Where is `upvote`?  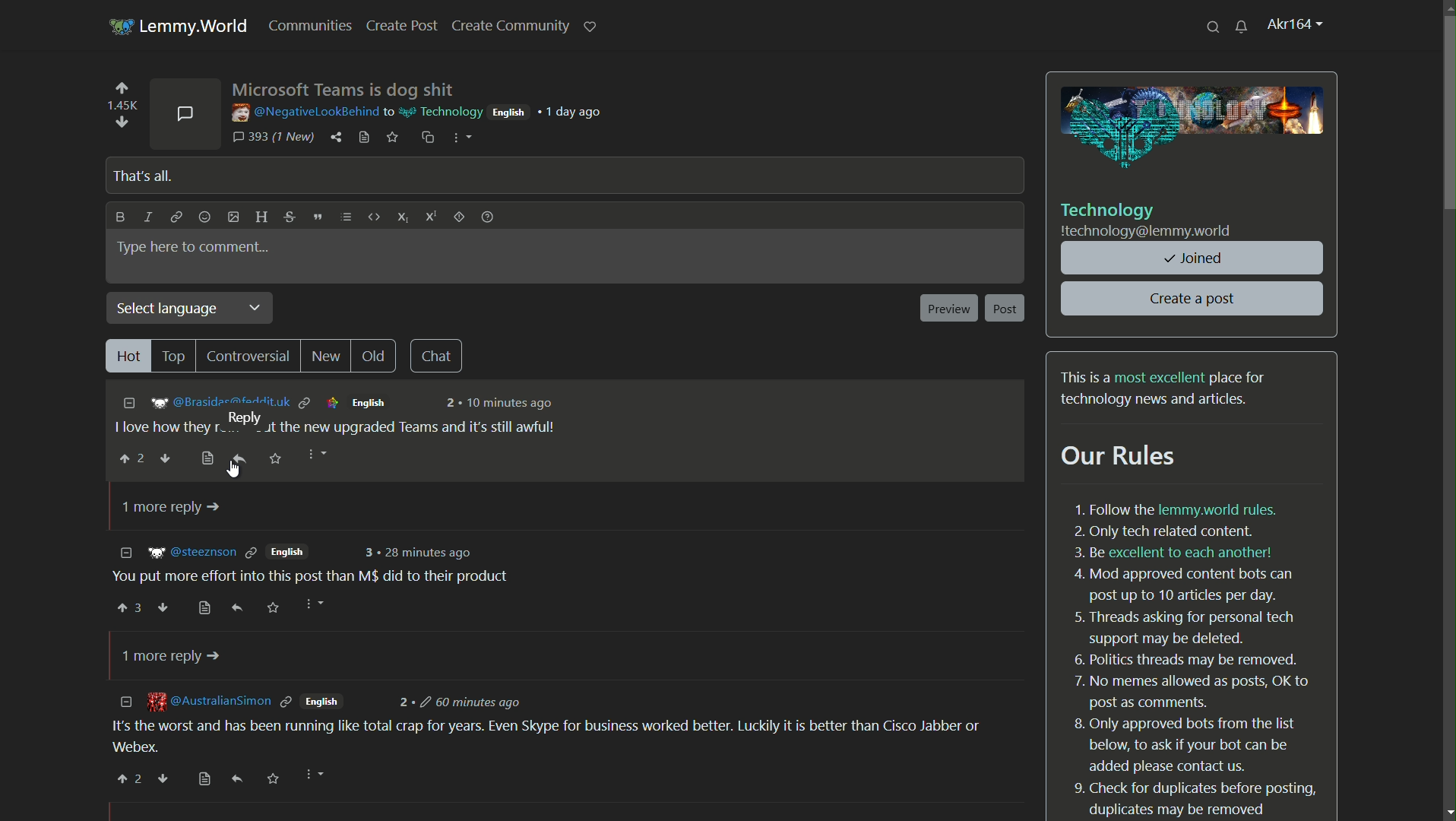 upvote is located at coordinates (129, 779).